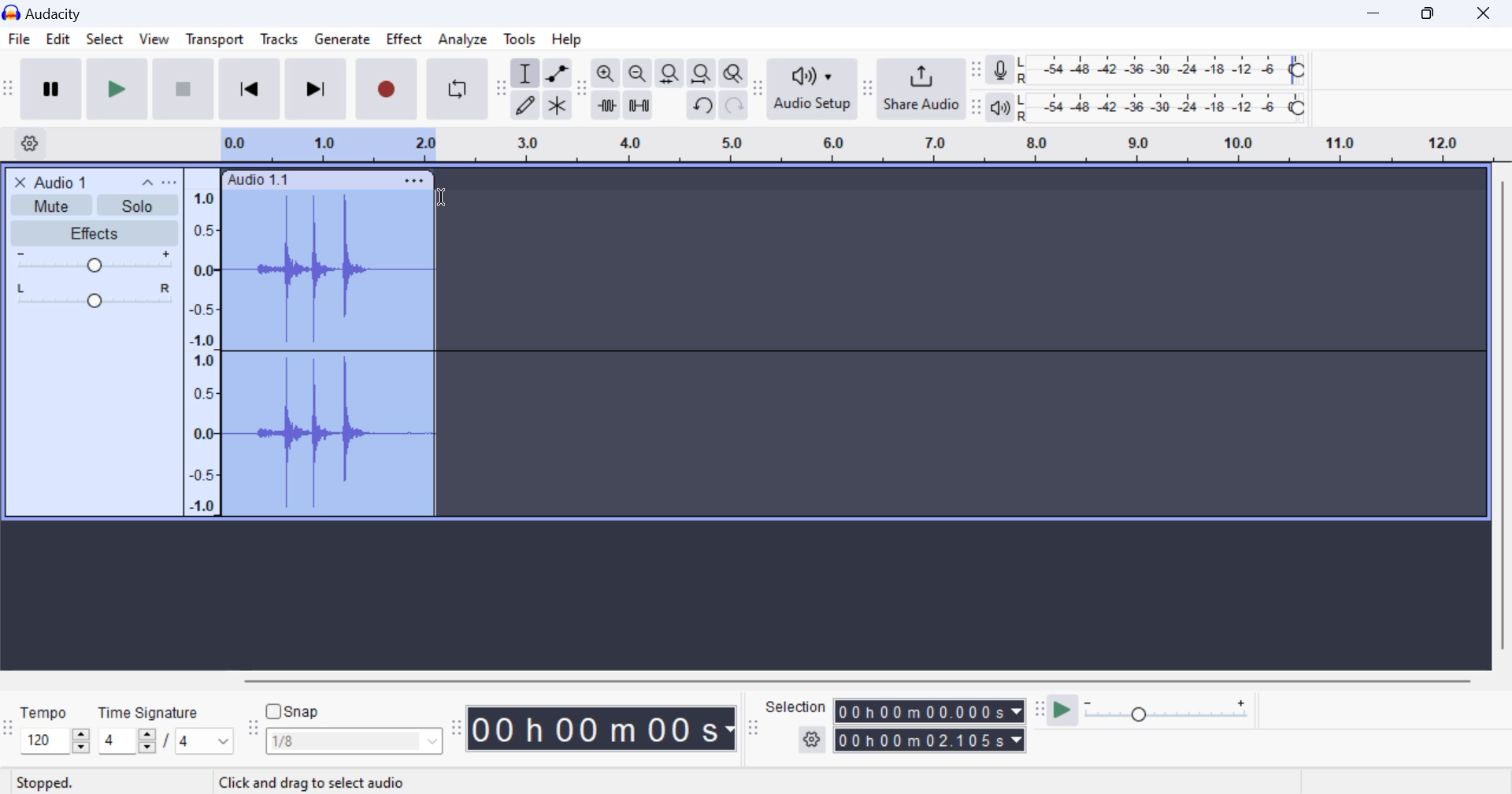 This screenshot has width=1512, height=794. What do you see at coordinates (1488, 11) in the screenshot?
I see `Close Window` at bounding box center [1488, 11].